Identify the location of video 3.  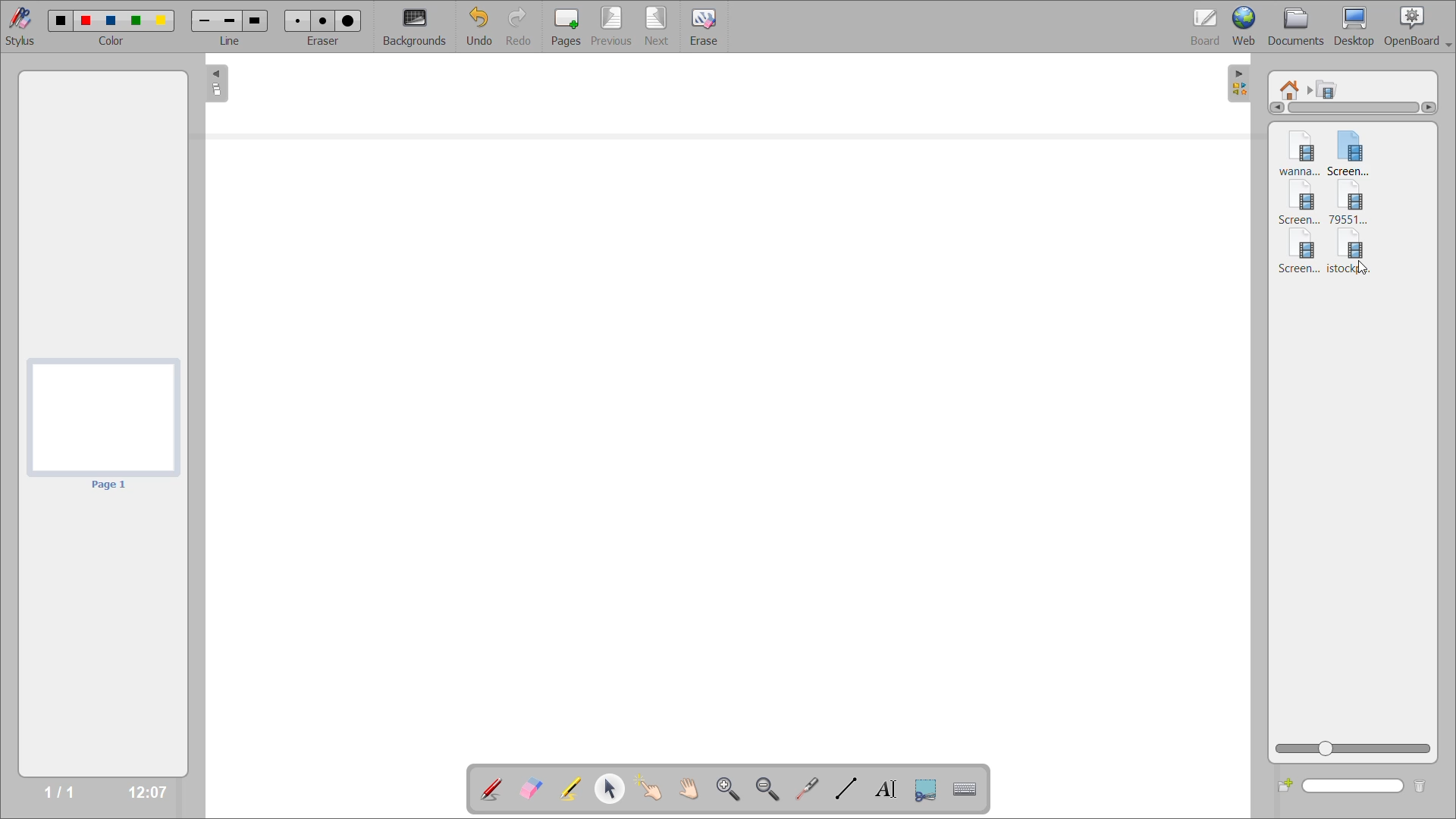
(1301, 204).